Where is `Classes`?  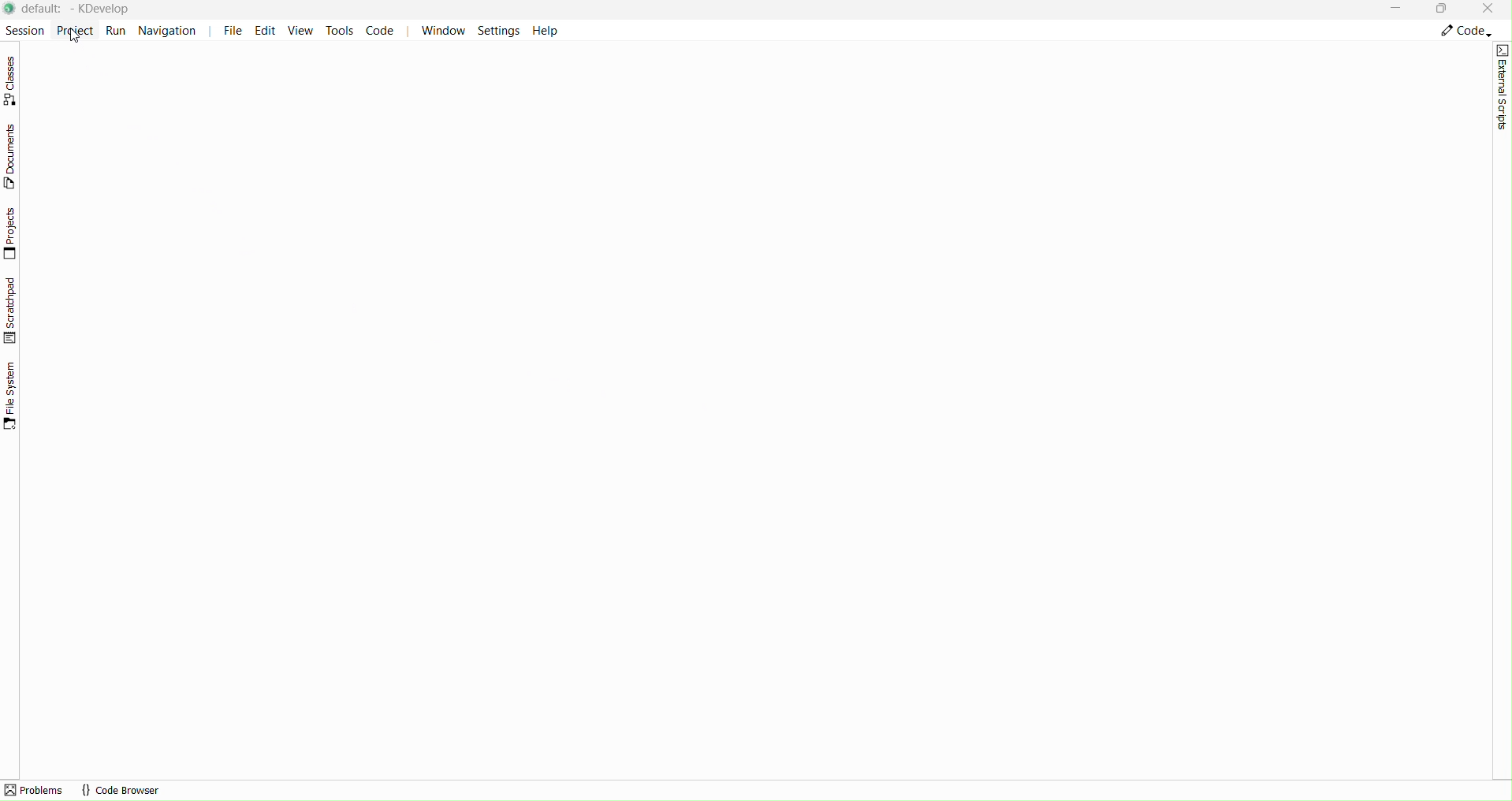
Classes is located at coordinates (15, 80).